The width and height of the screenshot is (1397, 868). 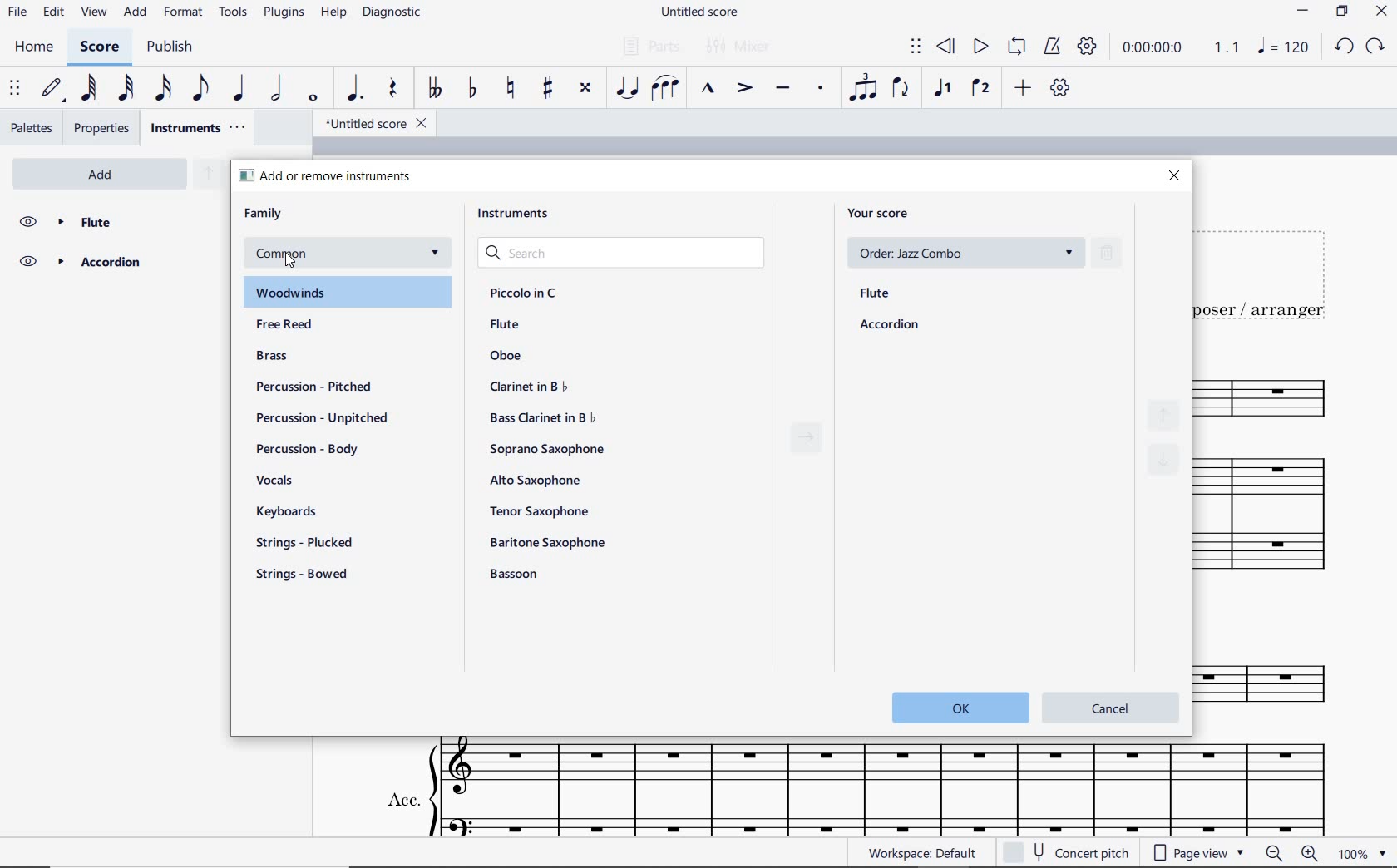 What do you see at coordinates (980, 49) in the screenshot?
I see `play` at bounding box center [980, 49].